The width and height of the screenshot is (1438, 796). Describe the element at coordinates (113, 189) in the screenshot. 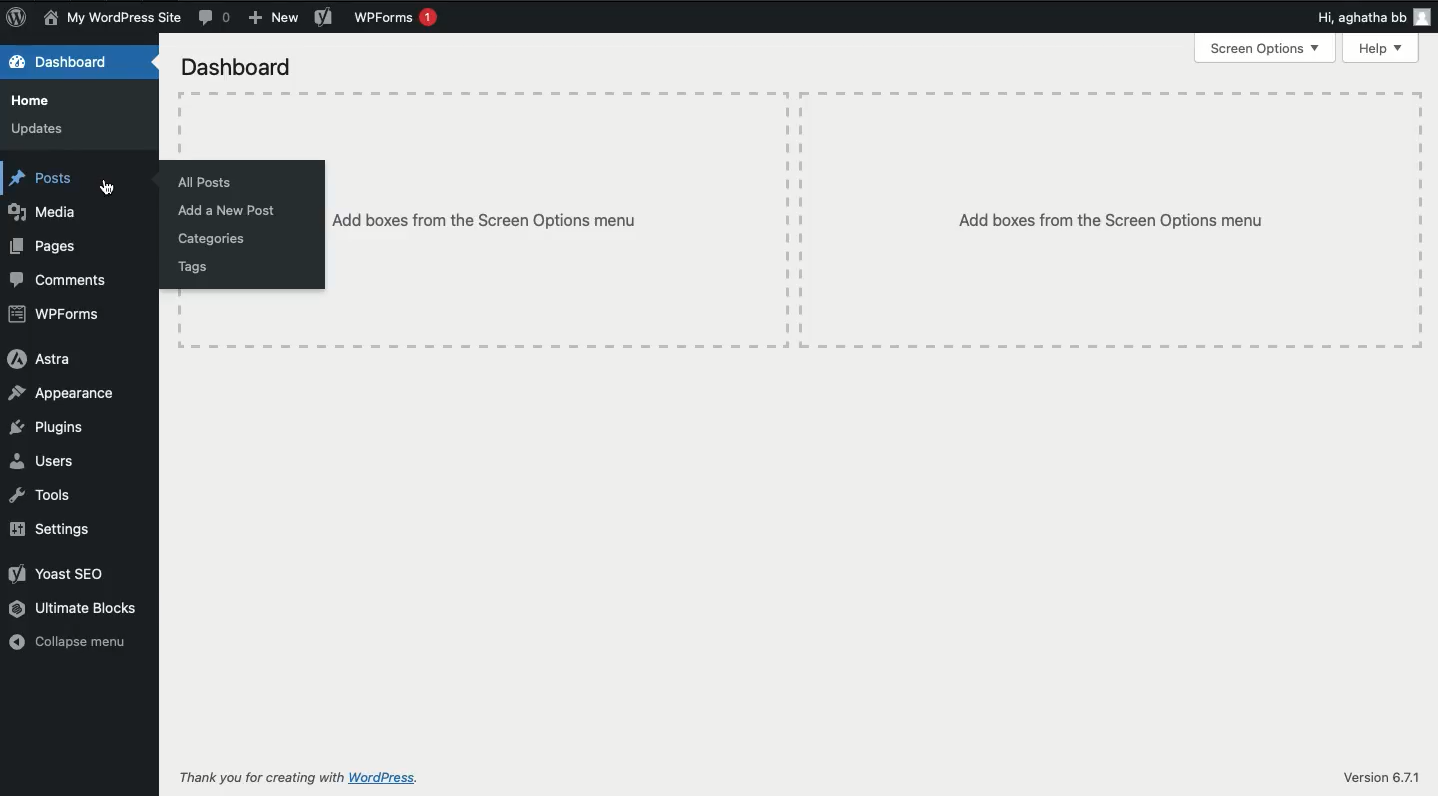

I see `Custom sidebars` at that location.